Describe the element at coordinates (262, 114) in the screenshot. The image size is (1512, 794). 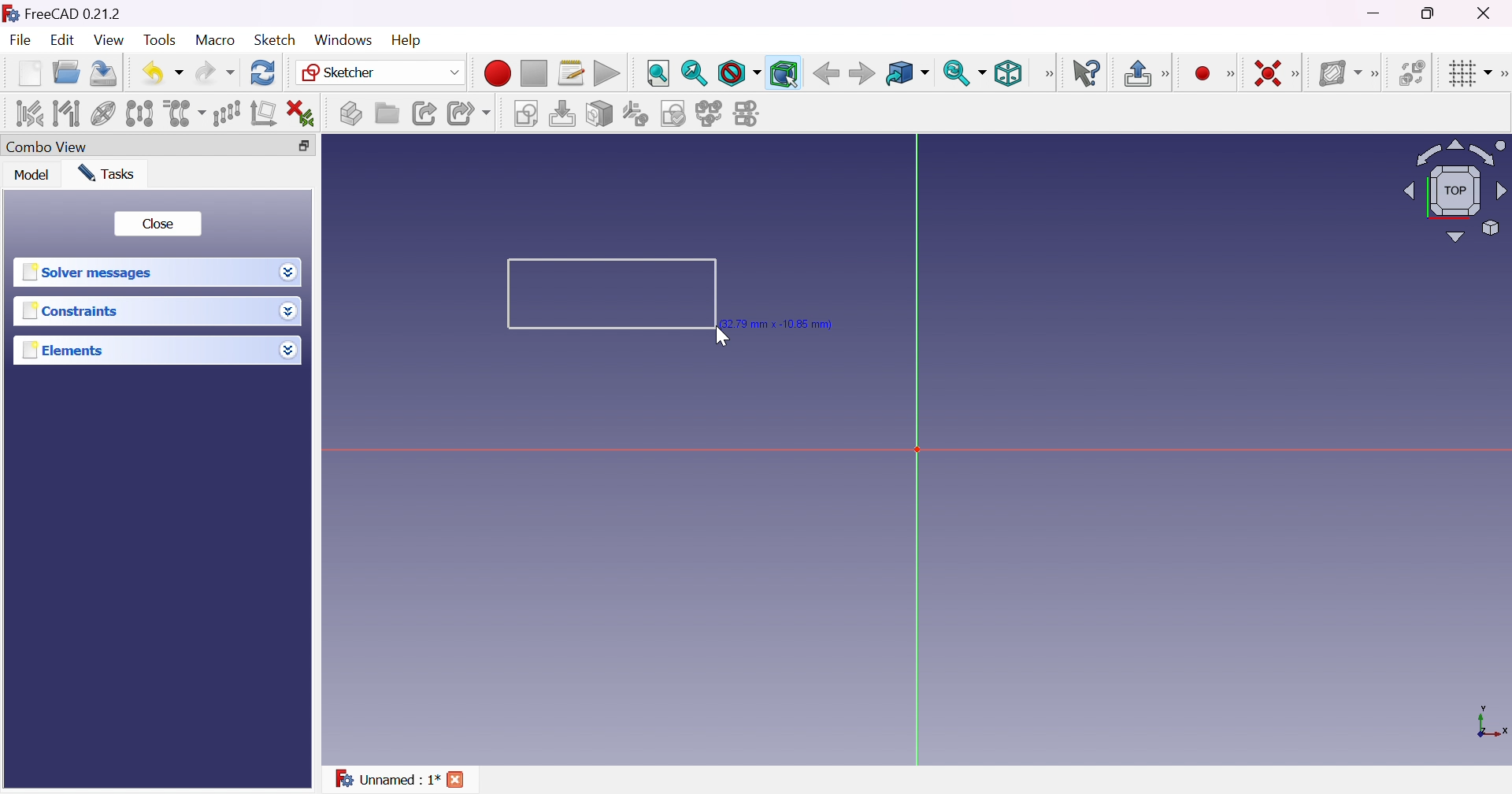
I see `Remove axes alignment` at that location.